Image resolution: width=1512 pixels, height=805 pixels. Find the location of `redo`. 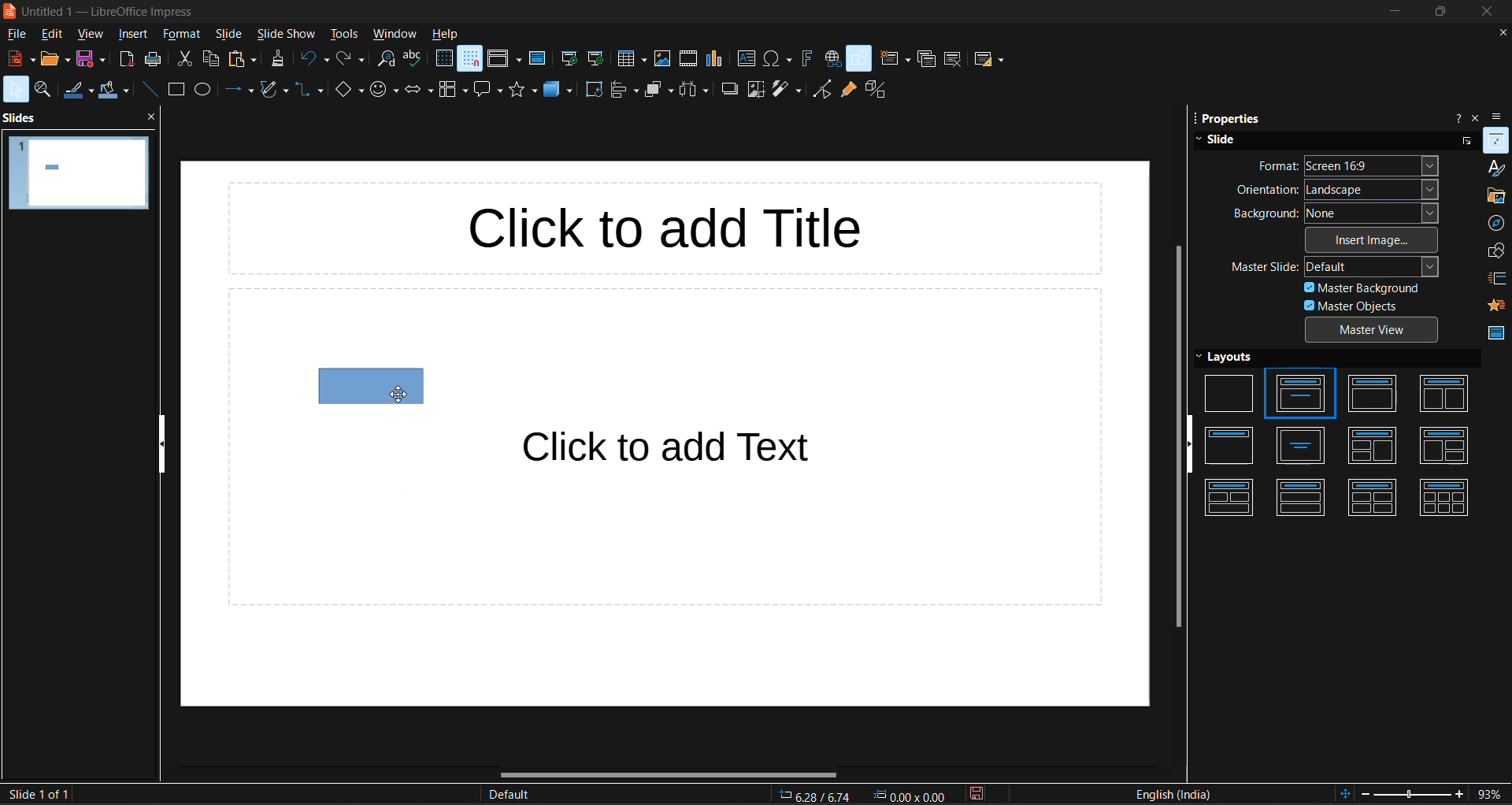

redo is located at coordinates (350, 60).